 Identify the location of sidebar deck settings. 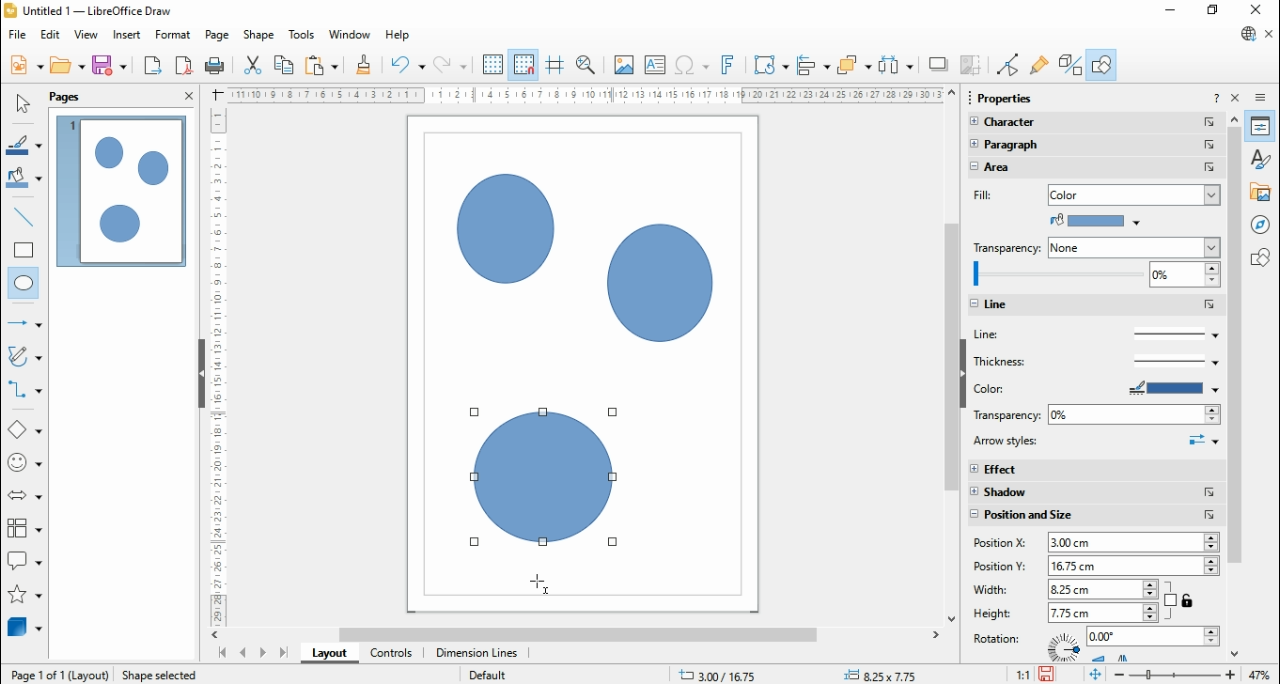
(1262, 98).